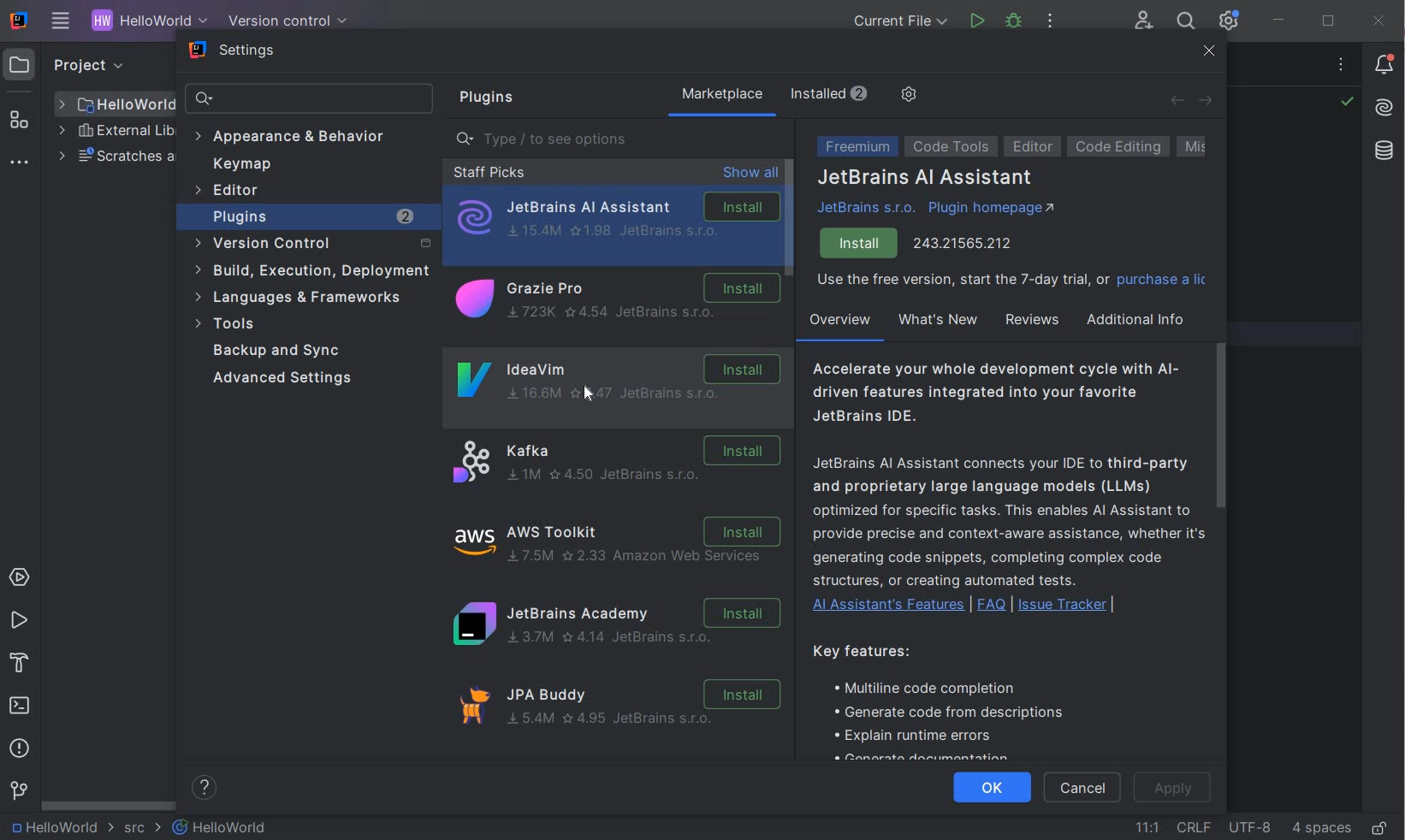 The width and height of the screenshot is (1405, 840). Describe the element at coordinates (56, 22) in the screenshot. I see `MAIN MENU` at that location.